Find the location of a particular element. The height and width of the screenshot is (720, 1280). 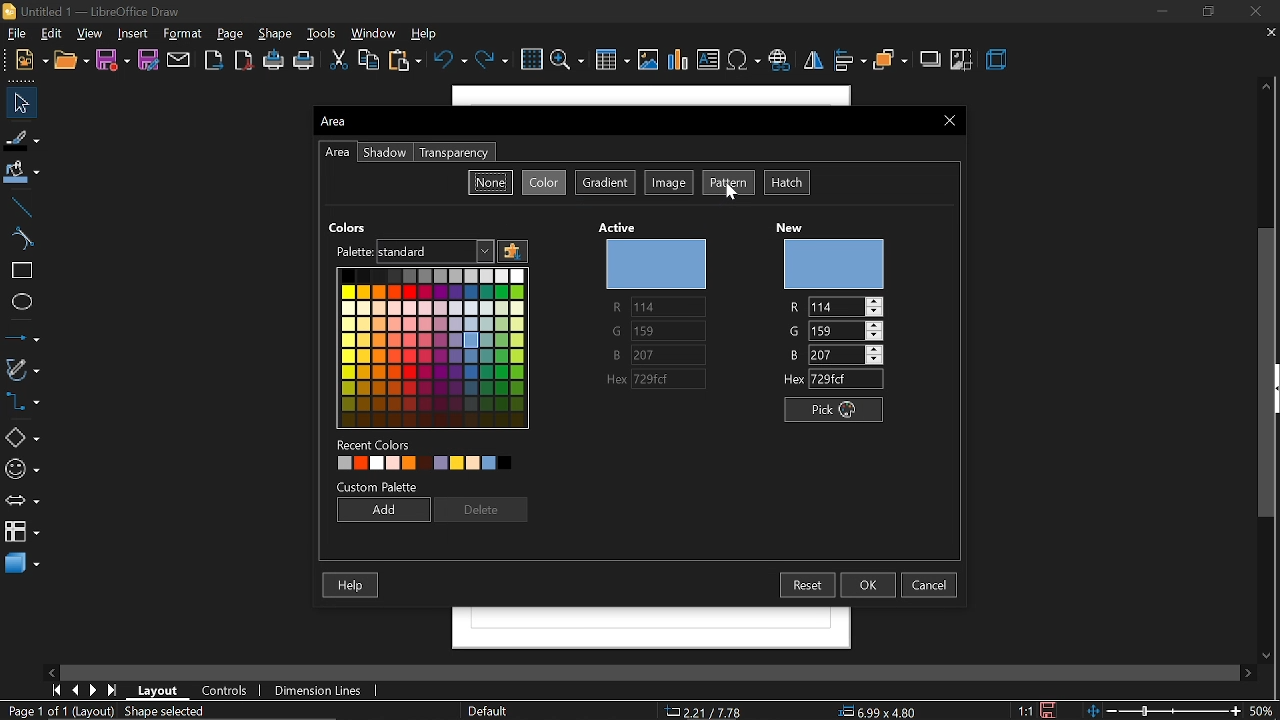

ellipse is located at coordinates (20, 302).